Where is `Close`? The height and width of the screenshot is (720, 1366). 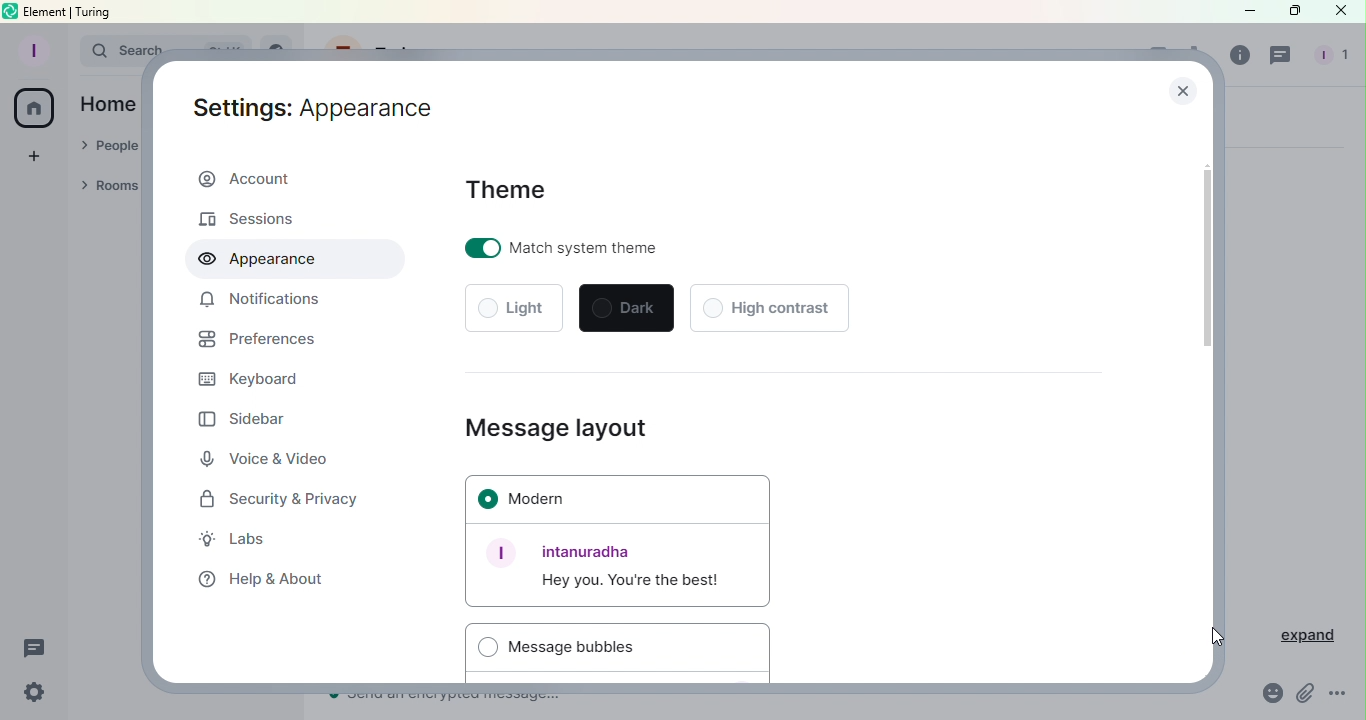 Close is located at coordinates (1341, 11).